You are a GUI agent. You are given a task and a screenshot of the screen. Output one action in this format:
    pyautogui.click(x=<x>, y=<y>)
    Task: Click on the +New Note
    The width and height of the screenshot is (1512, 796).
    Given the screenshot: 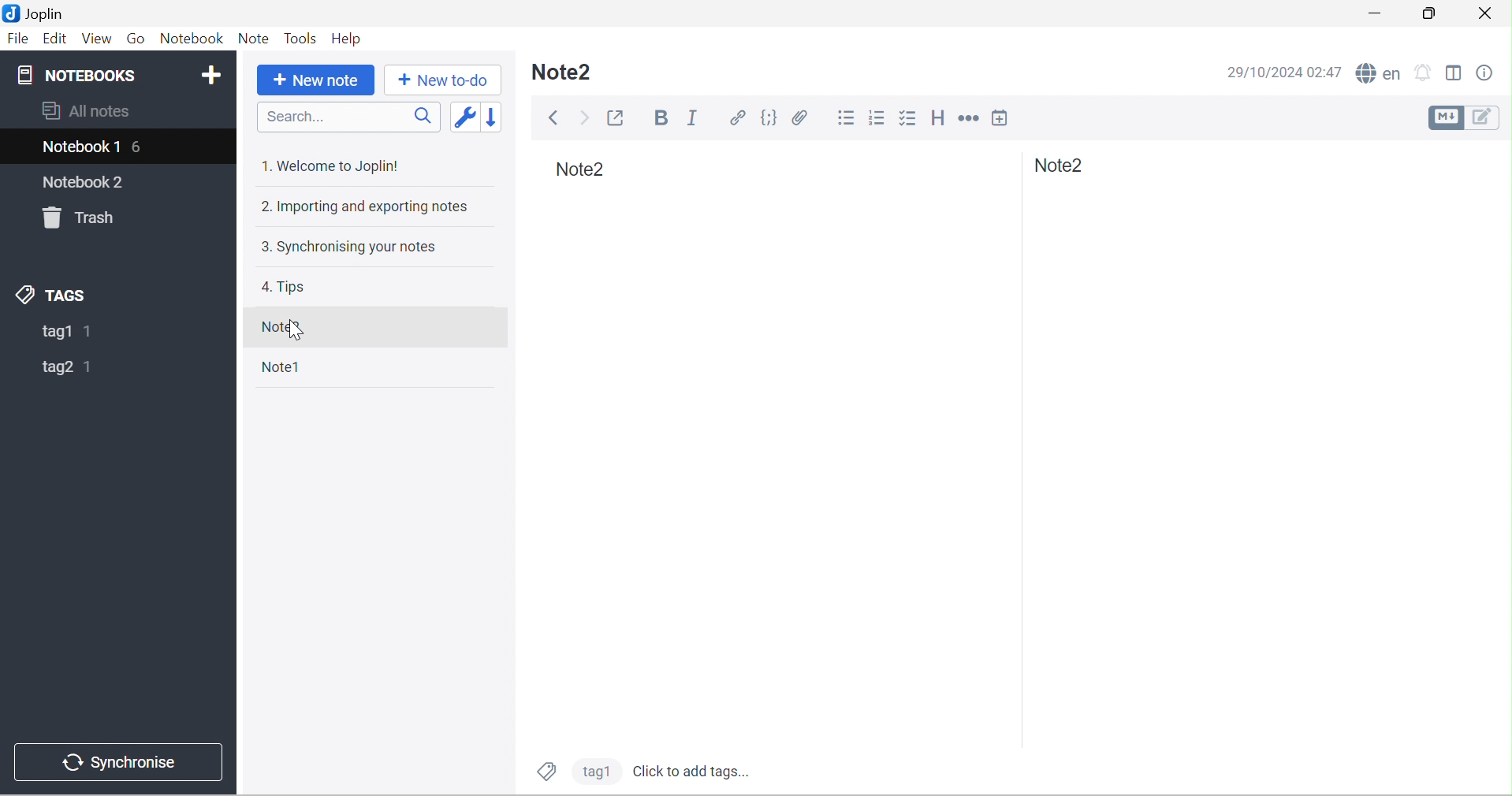 What is the action you would take?
    pyautogui.click(x=315, y=82)
    